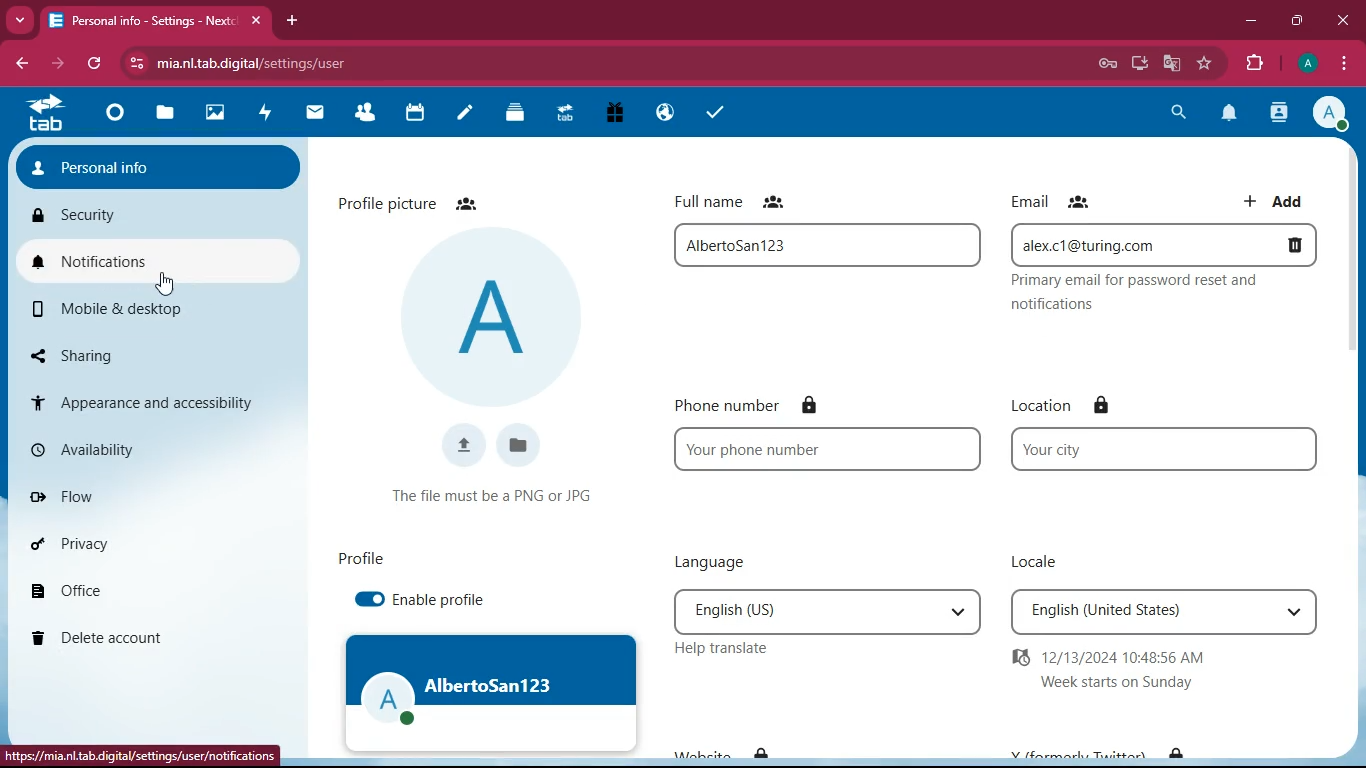 The width and height of the screenshot is (1366, 768). What do you see at coordinates (50, 114) in the screenshot?
I see `tab` at bounding box center [50, 114].